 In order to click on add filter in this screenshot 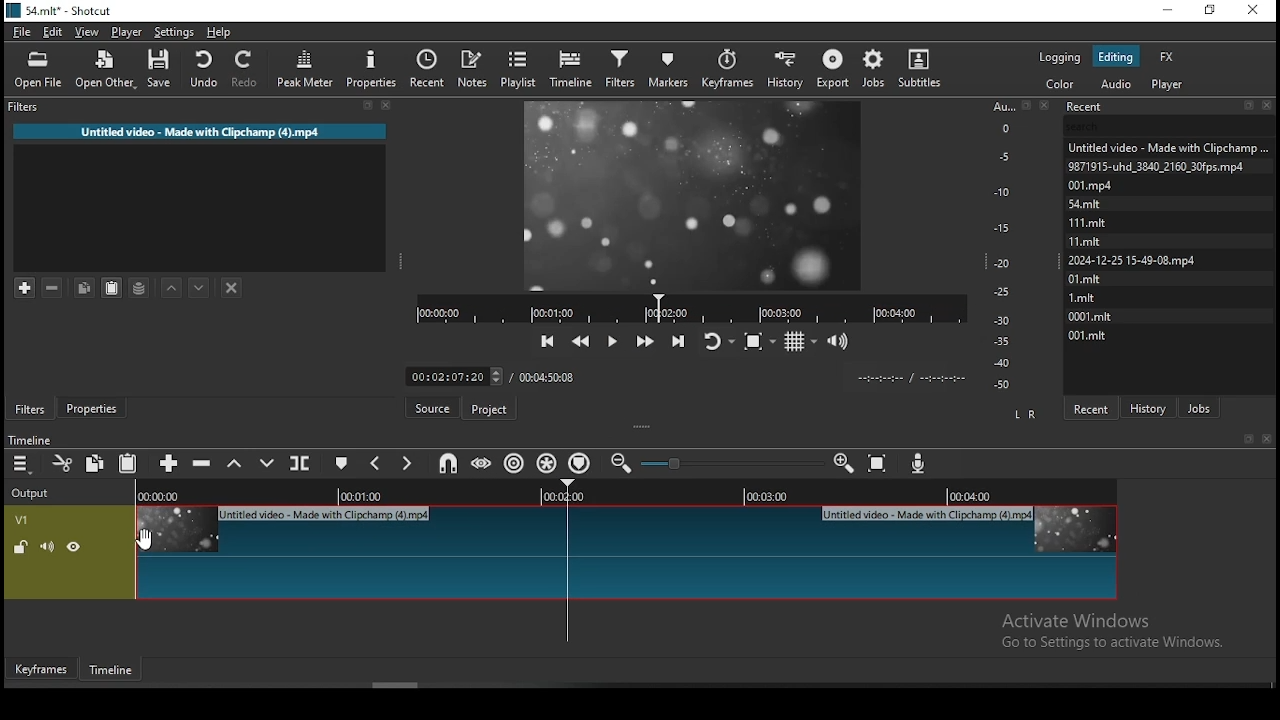, I will do `click(25, 285)`.